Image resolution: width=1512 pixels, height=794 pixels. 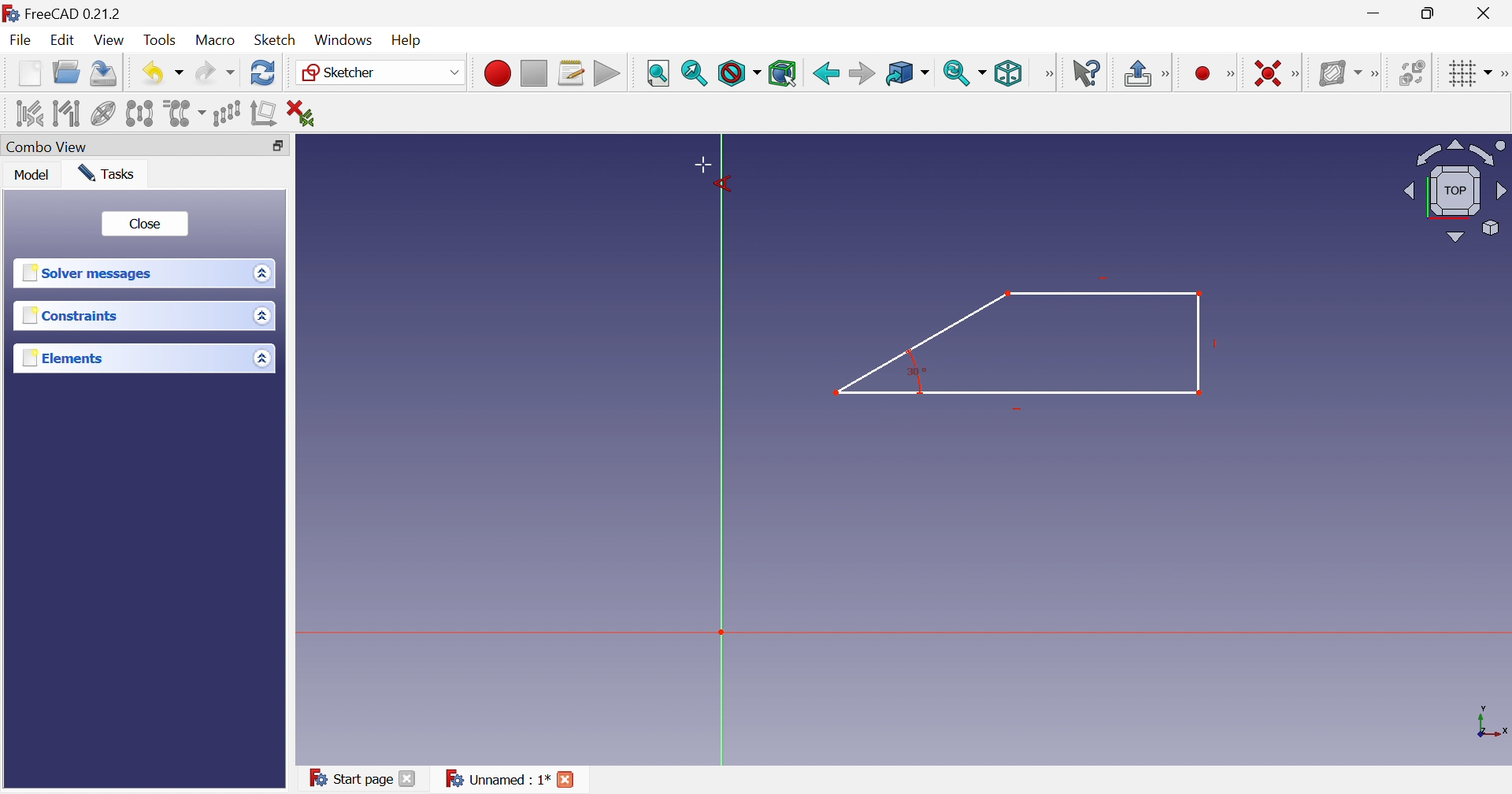 What do you see at coordinates (533, 72) in the screenshot?
I see `Stop macro recording` at bounding box center [533, 72].